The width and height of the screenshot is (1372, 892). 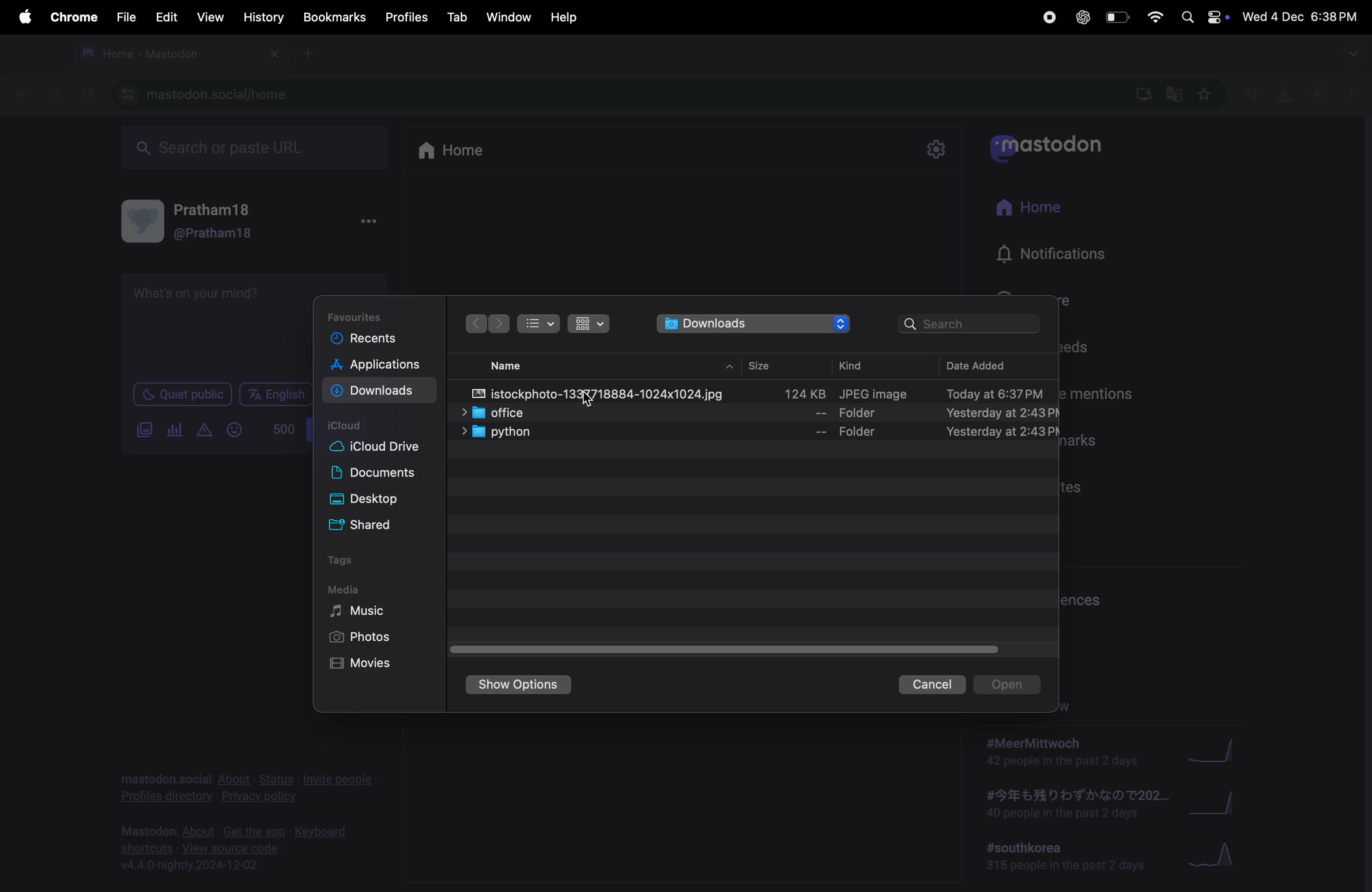 What do you see at coordinates (371, 341) in the screenshot?
I see `recents` at bounding box center [371, 341].